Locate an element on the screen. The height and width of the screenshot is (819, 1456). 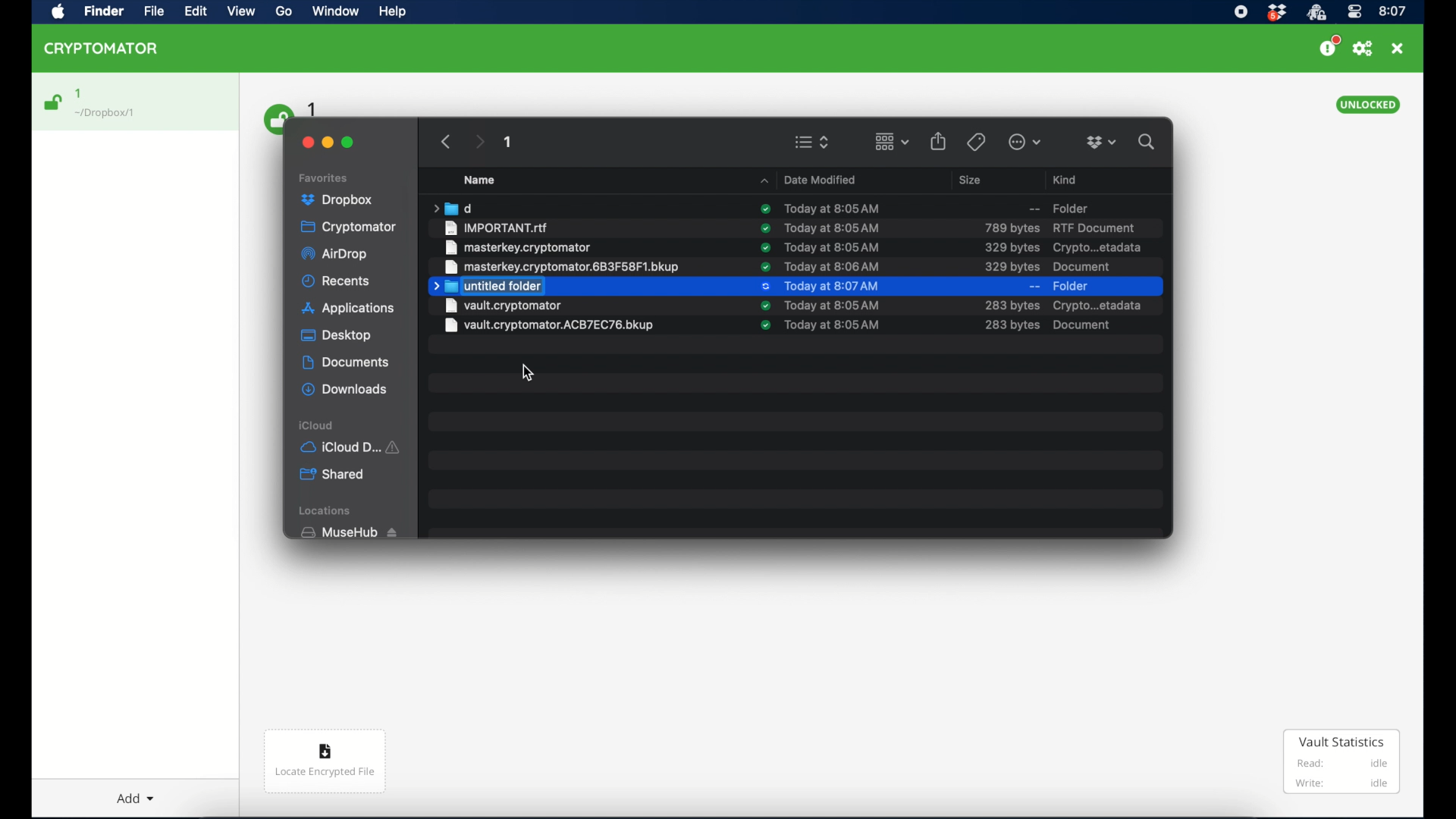
Window is located at coordinates (340, 14).